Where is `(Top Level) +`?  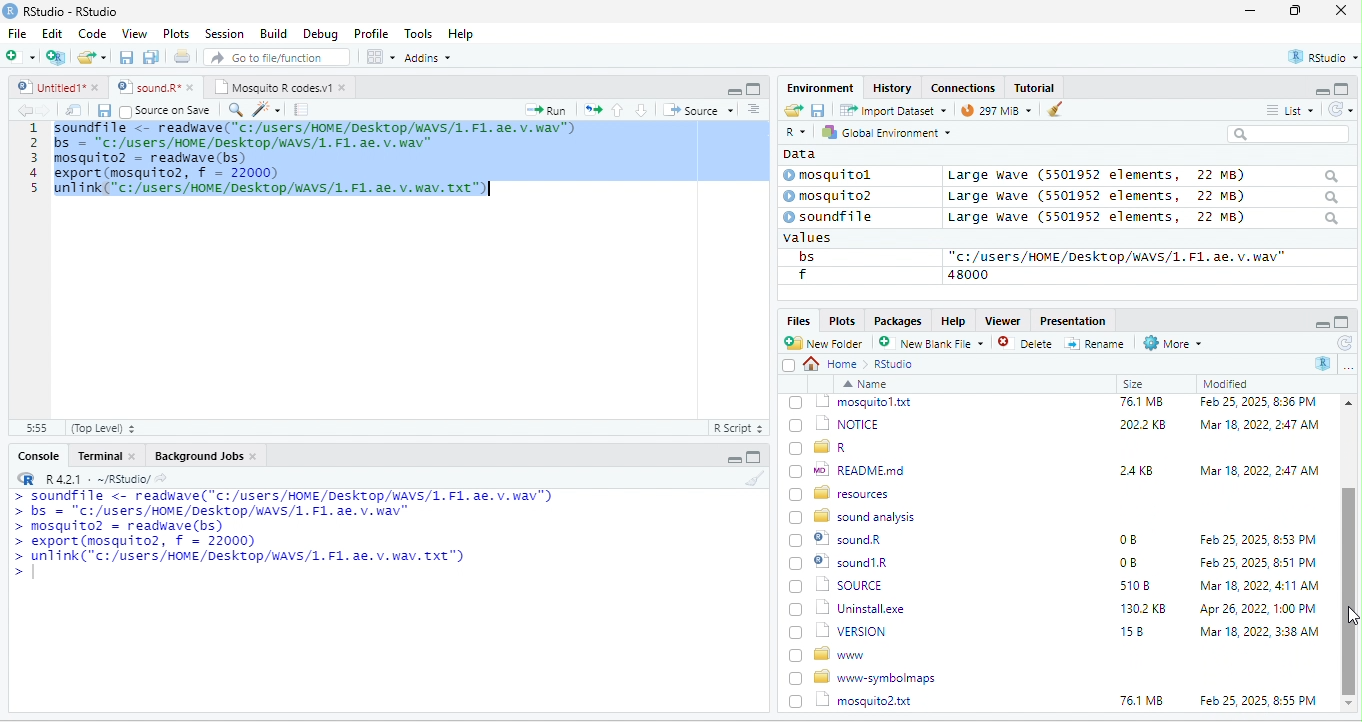 (Top Level) + is located at coordinates (103, 428).